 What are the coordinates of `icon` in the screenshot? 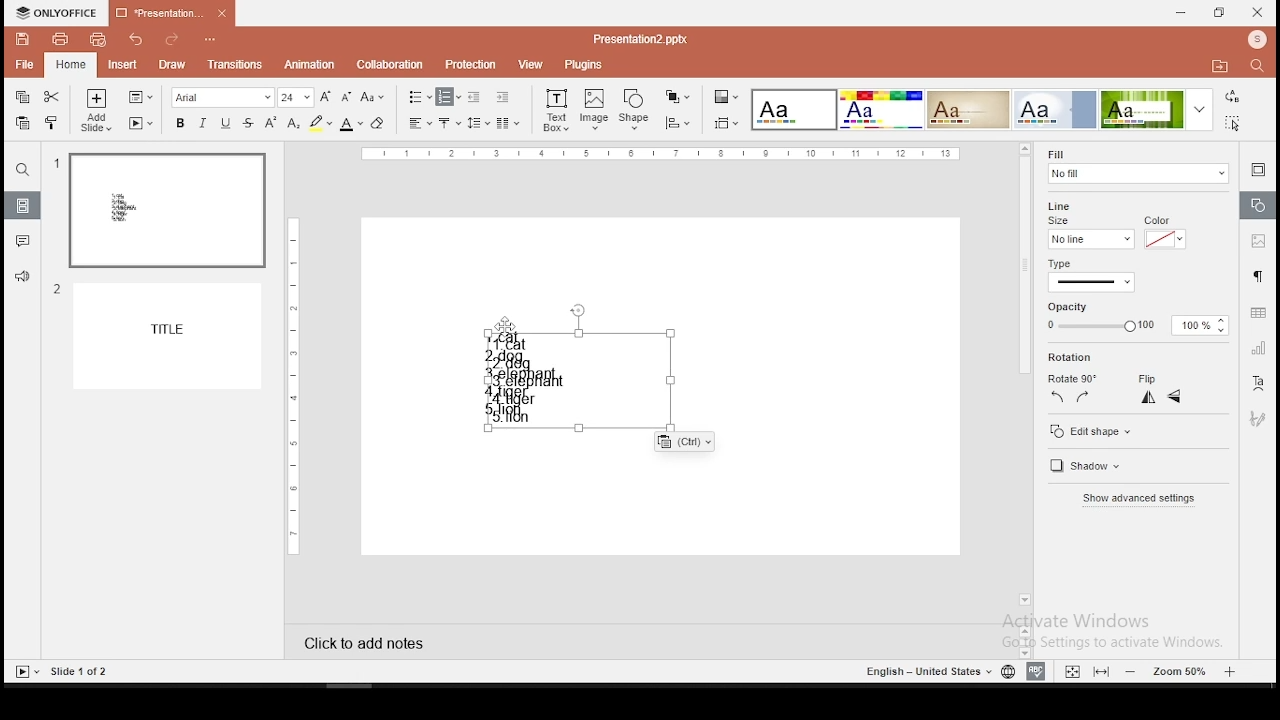 It's located at (1256, 41).